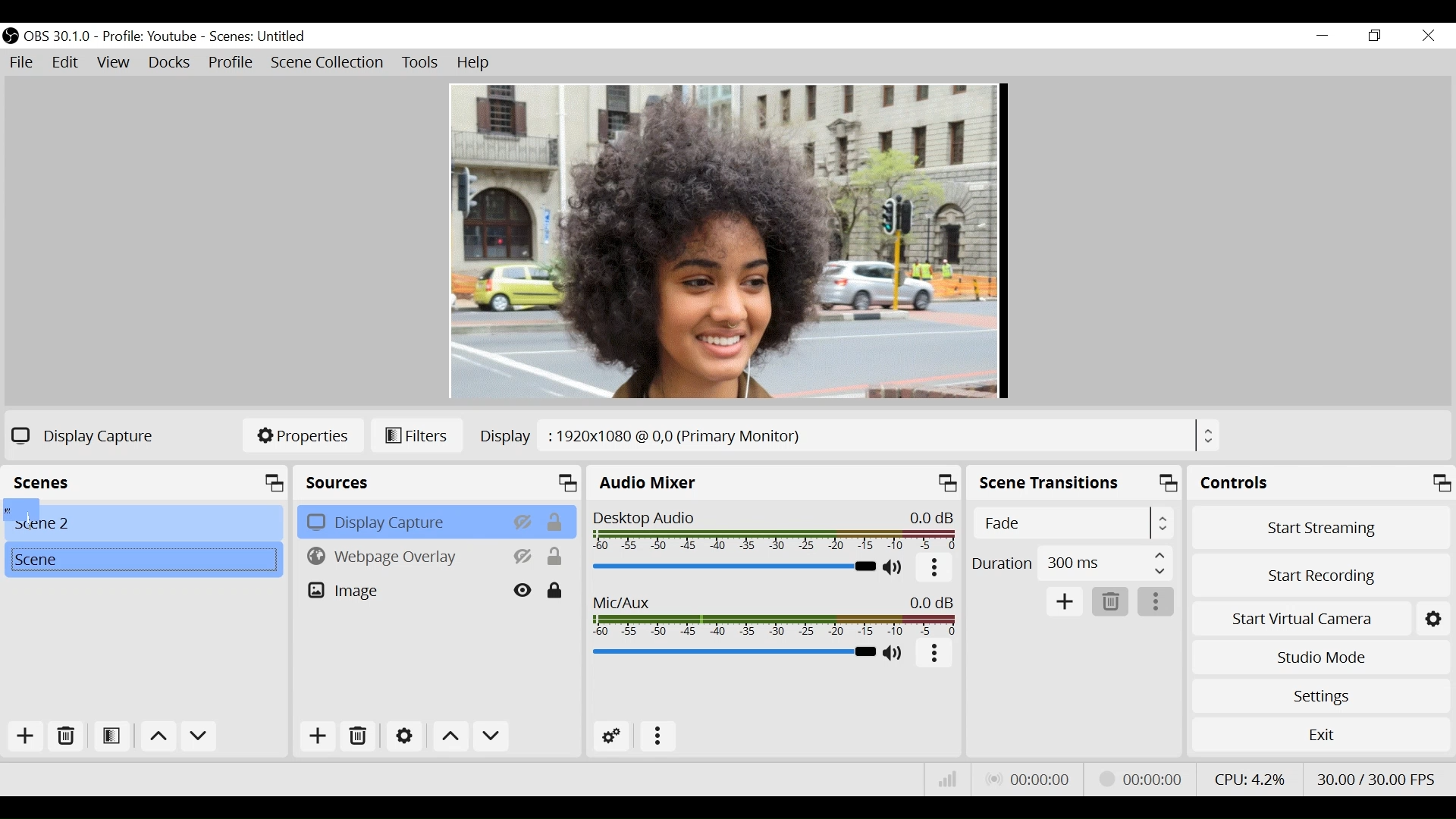  I want to click on Scene, so click(144, 522).